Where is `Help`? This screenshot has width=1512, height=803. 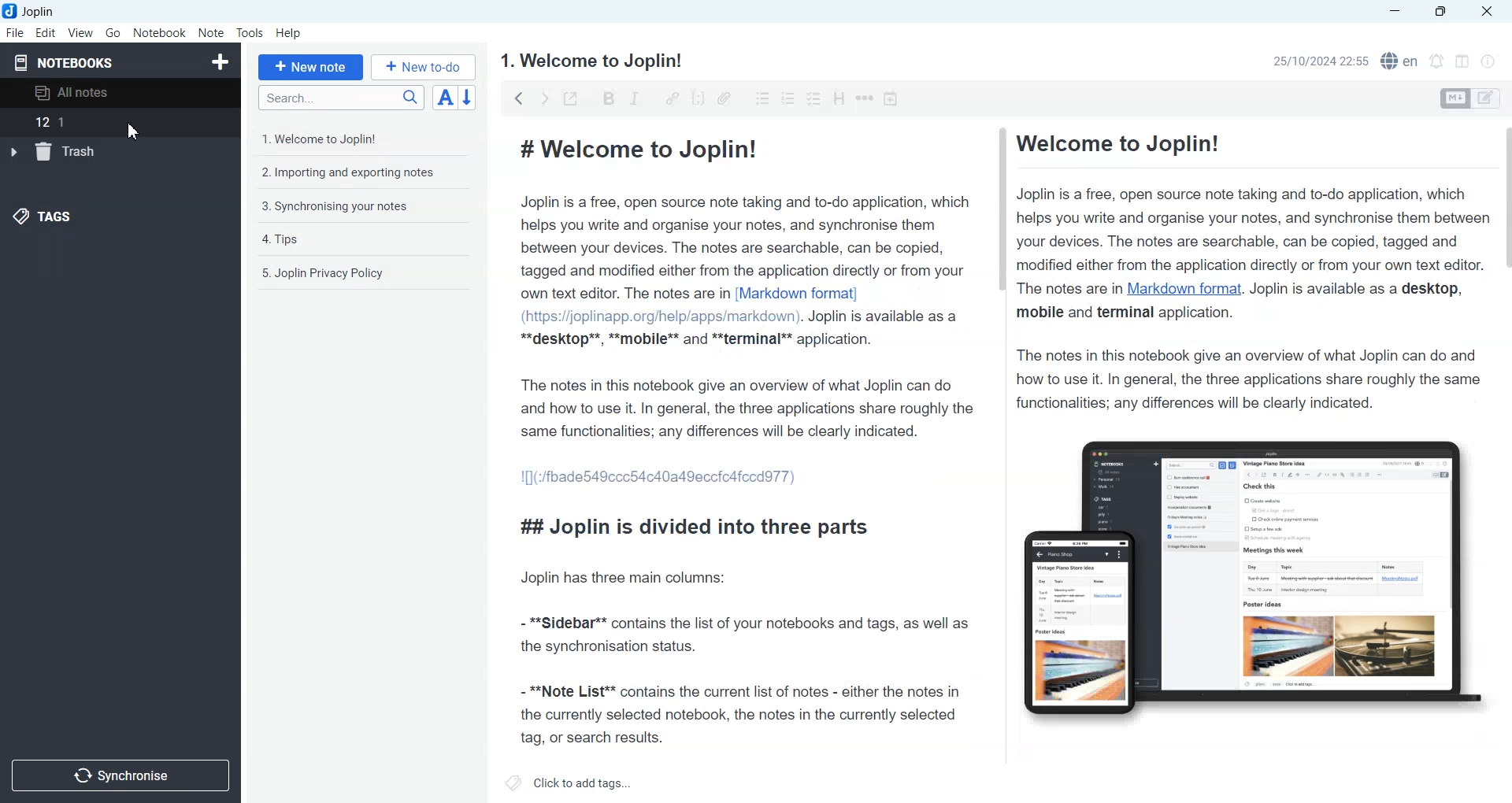
Help is located at coordinates (290, 34).